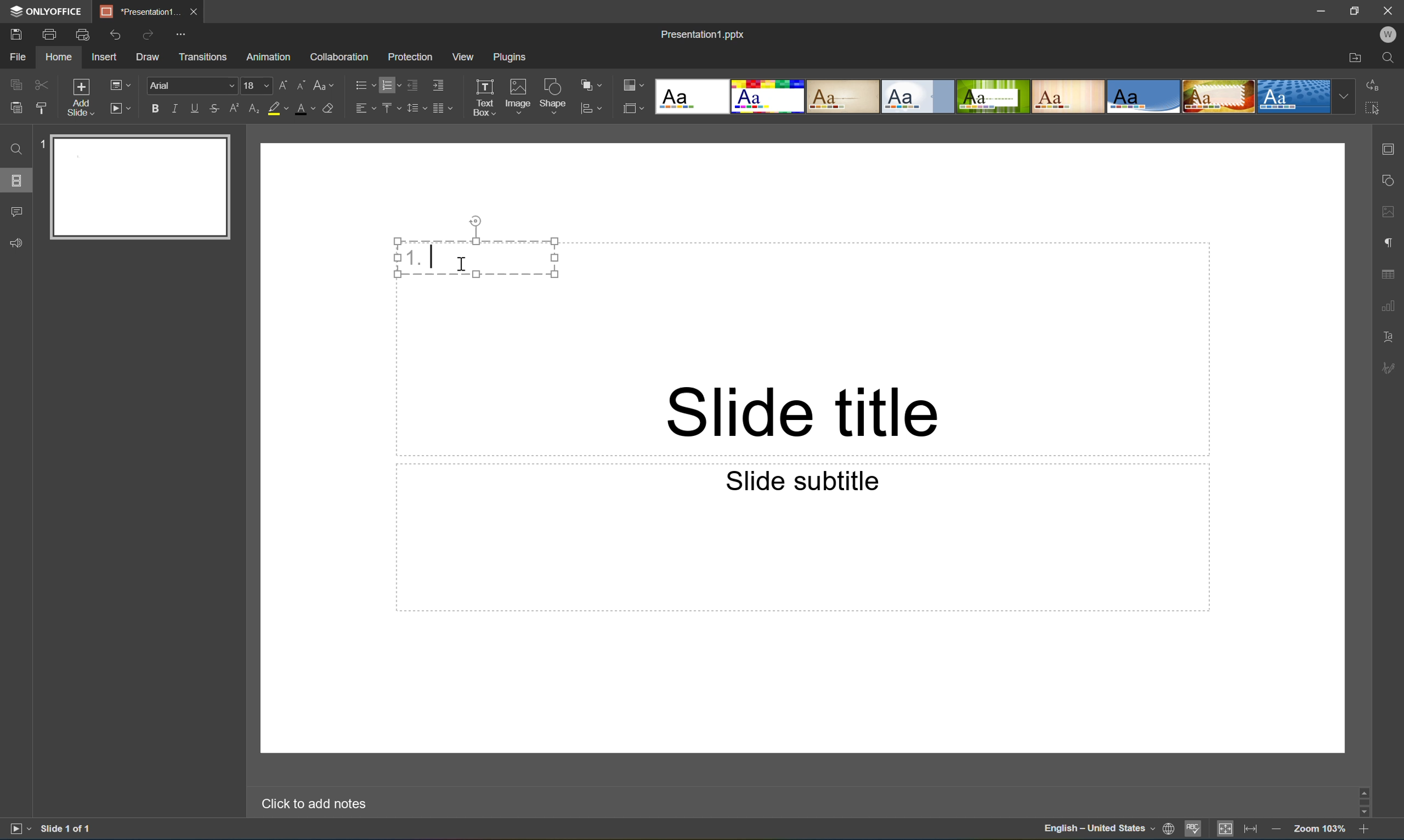 The width and height of the screenshot is (1404, 840). What do you see at coordinates (41, 147) in the screenshot?
I see `1` at bounding box center [41, 147].